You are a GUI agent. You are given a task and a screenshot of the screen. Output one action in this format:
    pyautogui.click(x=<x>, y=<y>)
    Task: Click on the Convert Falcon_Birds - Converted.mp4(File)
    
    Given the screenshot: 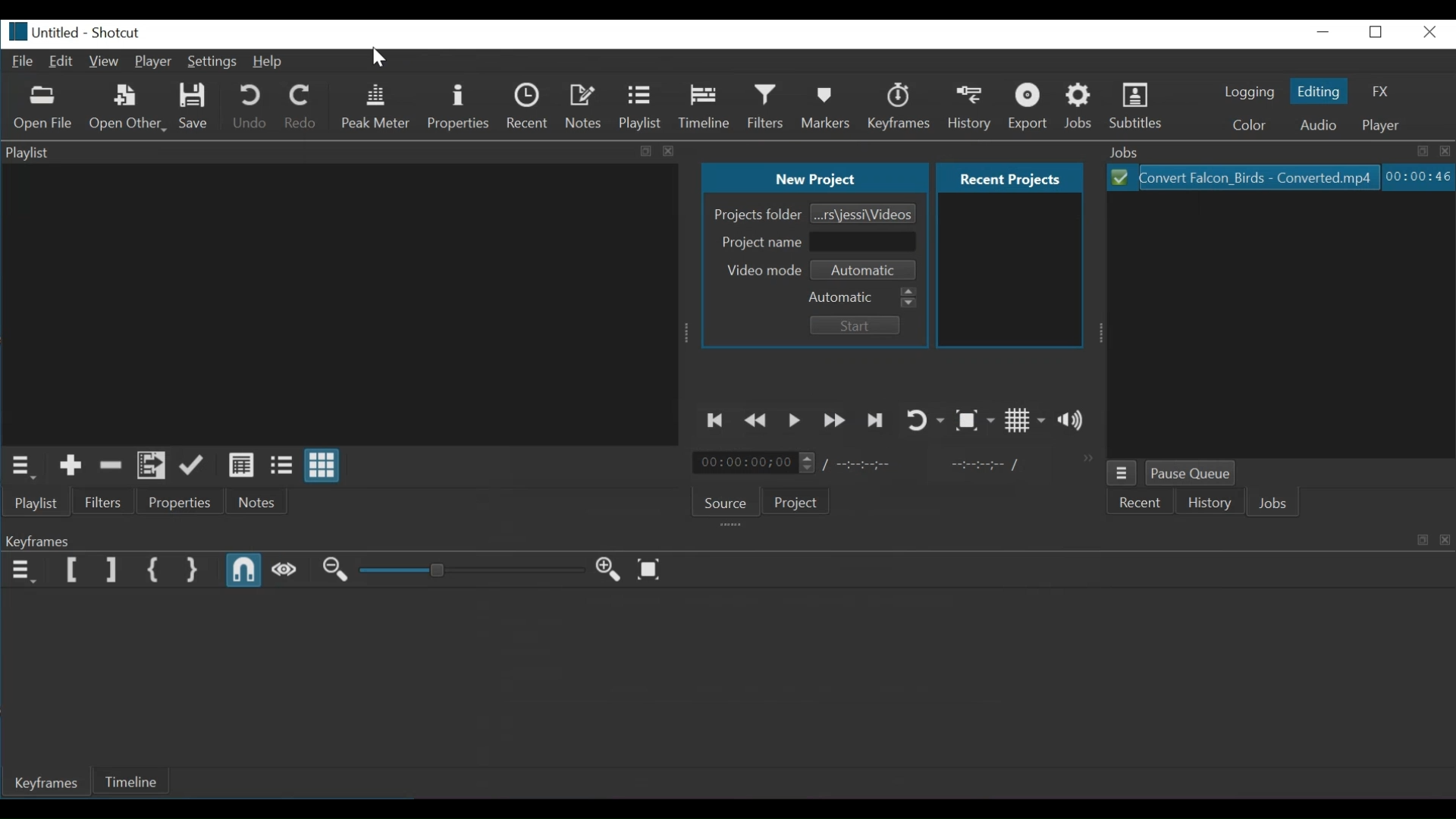 What is the action you would take?
    pyautogui.click(x=1241, y=177)
    